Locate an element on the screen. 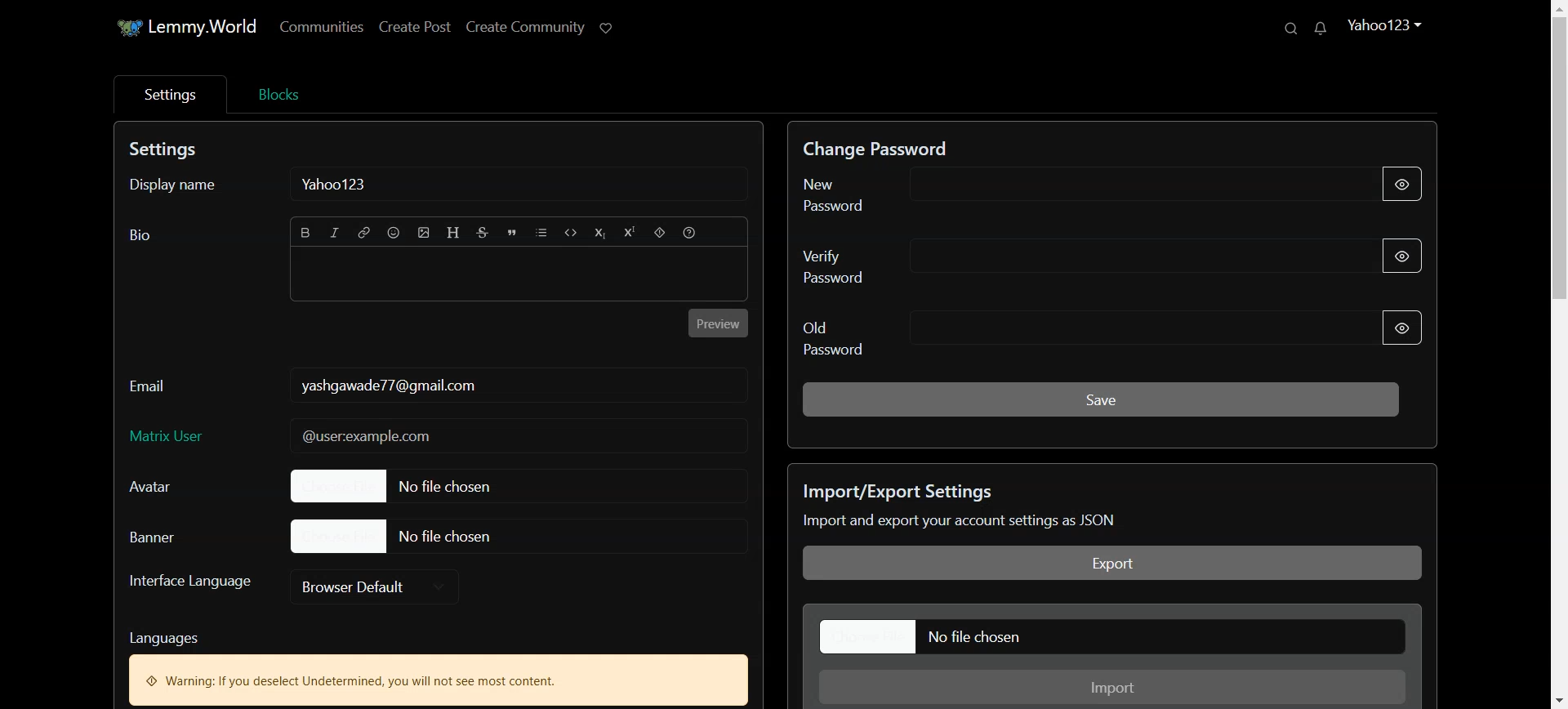  Text is located at coordinates (140, 235).